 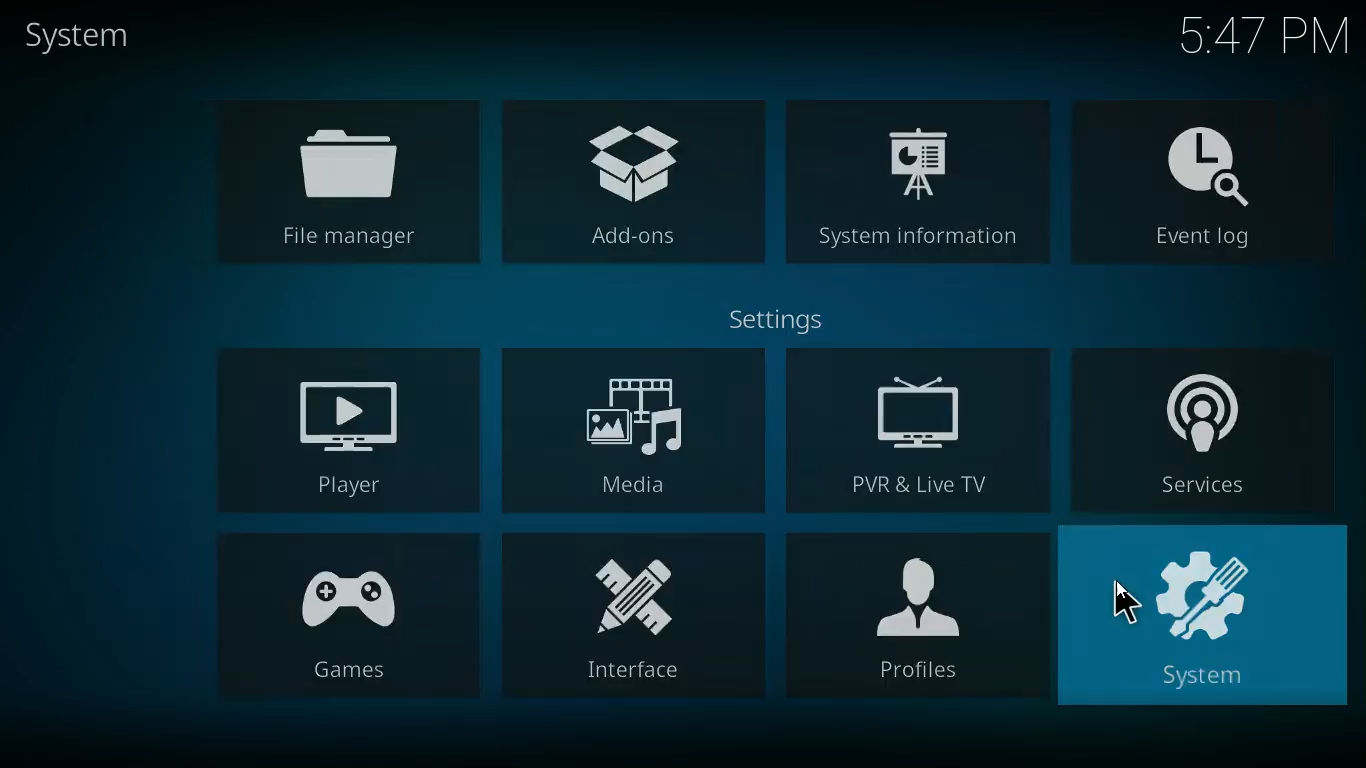 I want to click on system, so click(x=1205, y=620).